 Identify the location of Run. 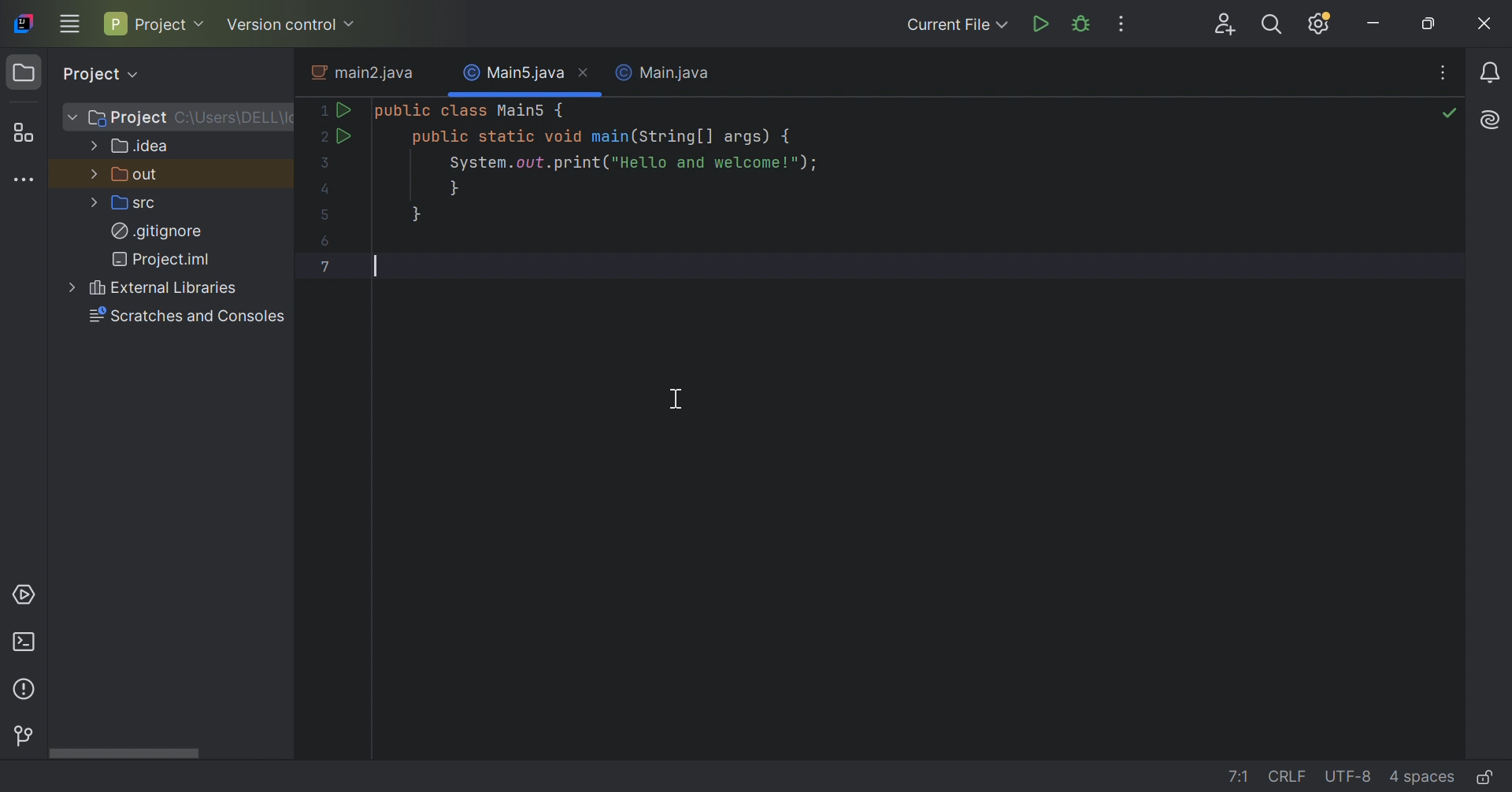
(345, 109).